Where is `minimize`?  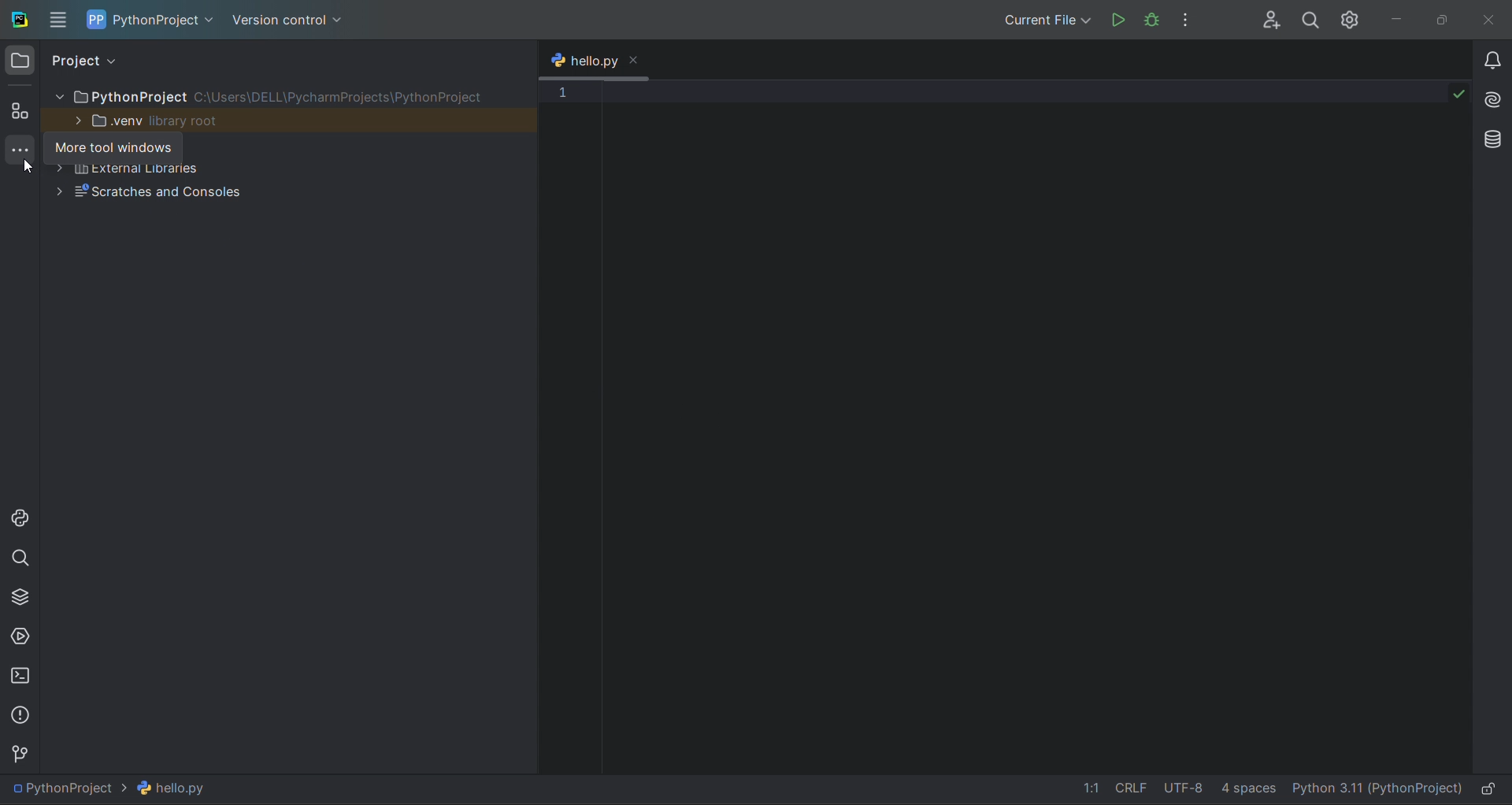 minimize is located at coordinates (1399, 20).